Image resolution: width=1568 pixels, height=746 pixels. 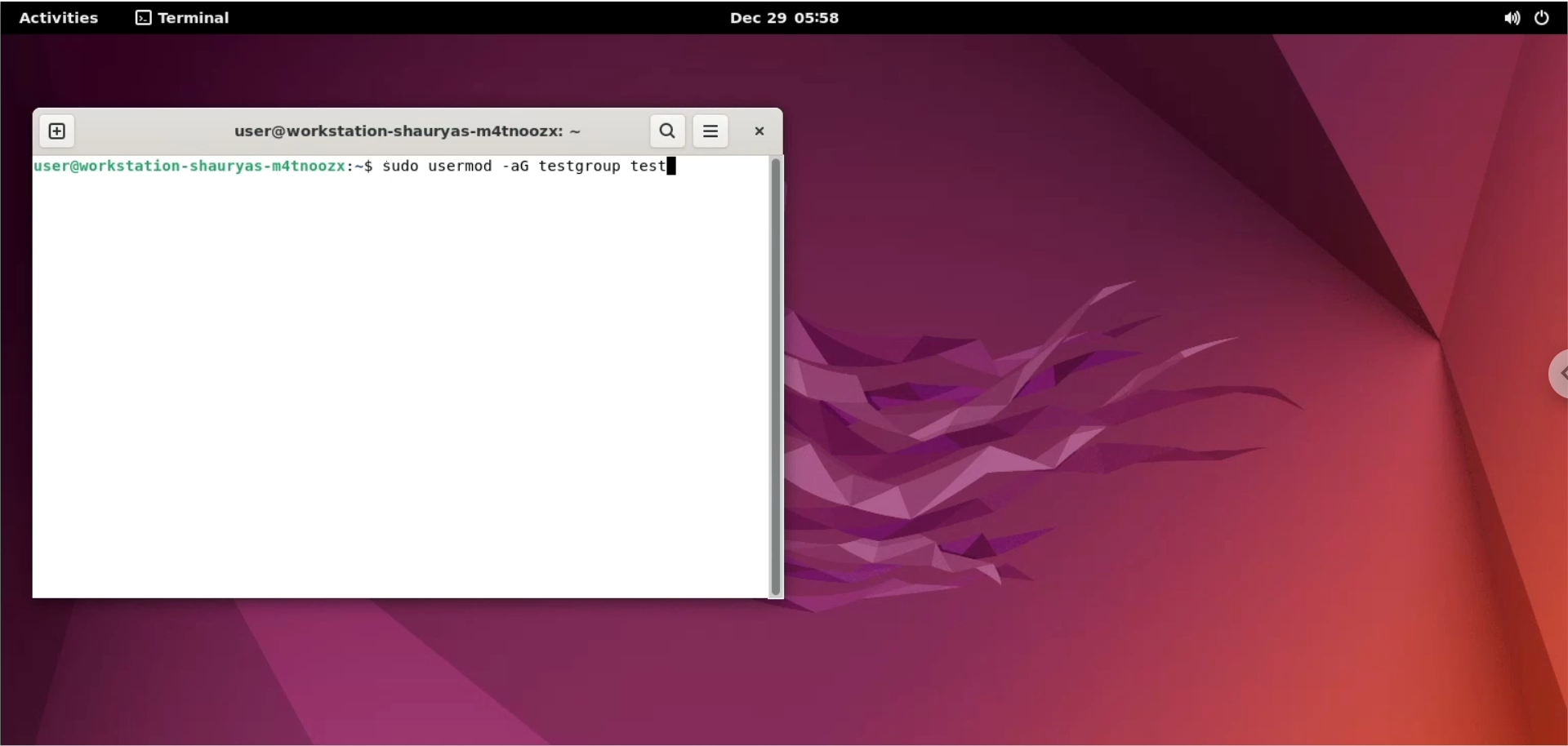 What do you see at coordinates (758, 131) in the screenshot?
I see `close` at bounding box center [758, 131].